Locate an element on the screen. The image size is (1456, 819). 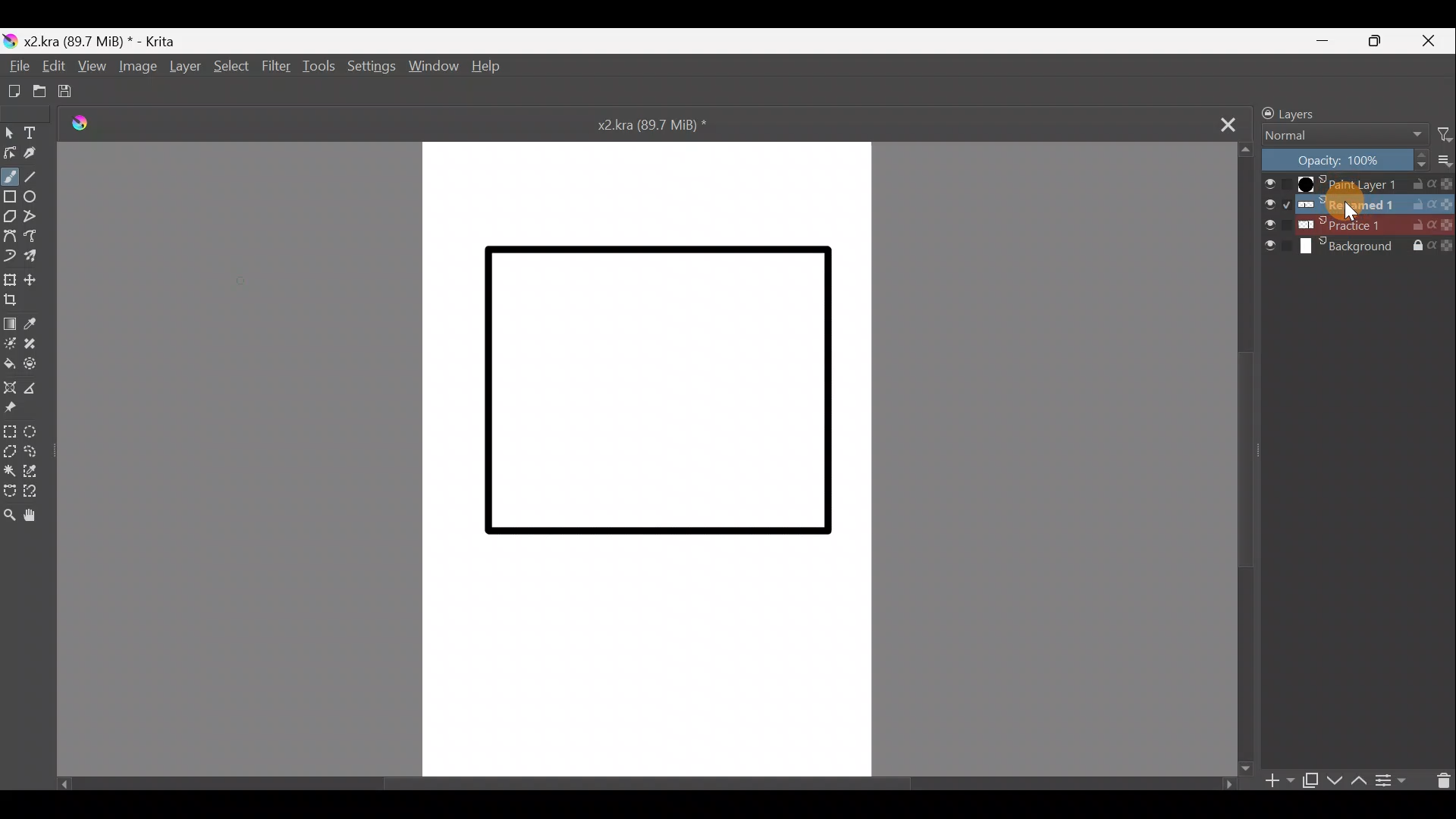
Move layer/mask down is located at coordinates (1335, 777).